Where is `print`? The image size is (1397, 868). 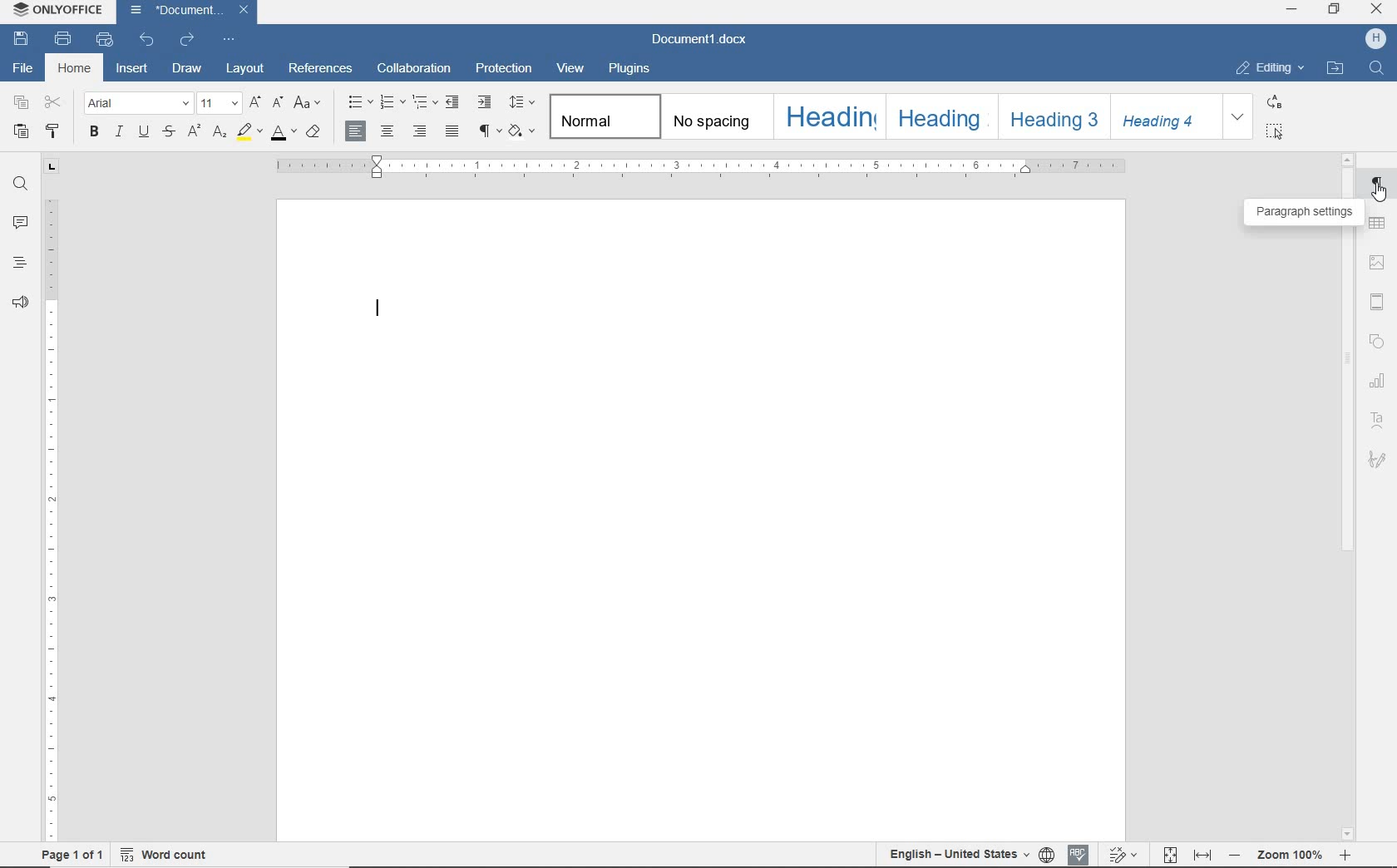 print is located at coordinates (103, 40).